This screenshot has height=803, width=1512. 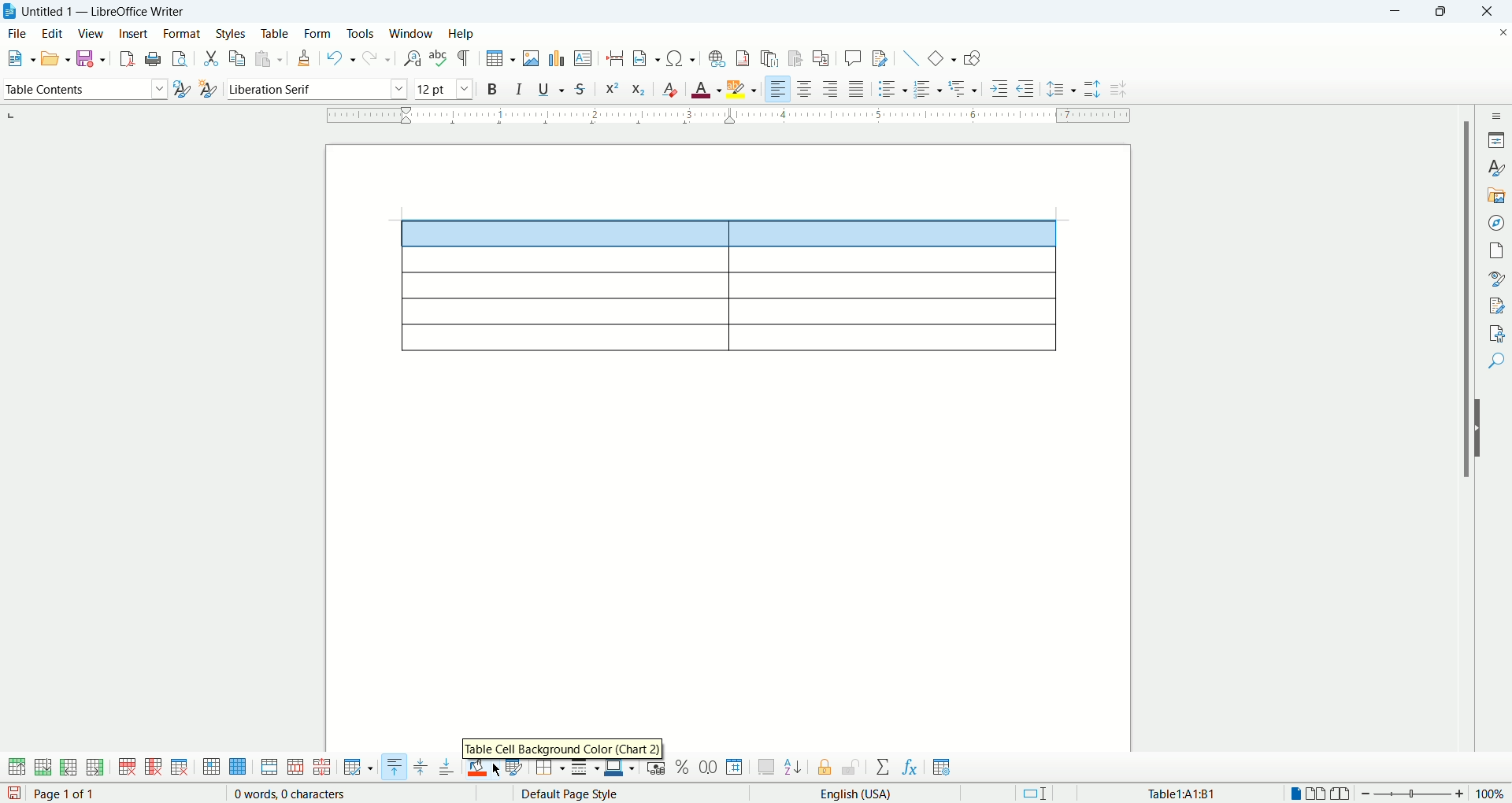 What do you see at coordinates (777, 87) in the screenshot?
I see `align right` at bounding box center [777, 87].